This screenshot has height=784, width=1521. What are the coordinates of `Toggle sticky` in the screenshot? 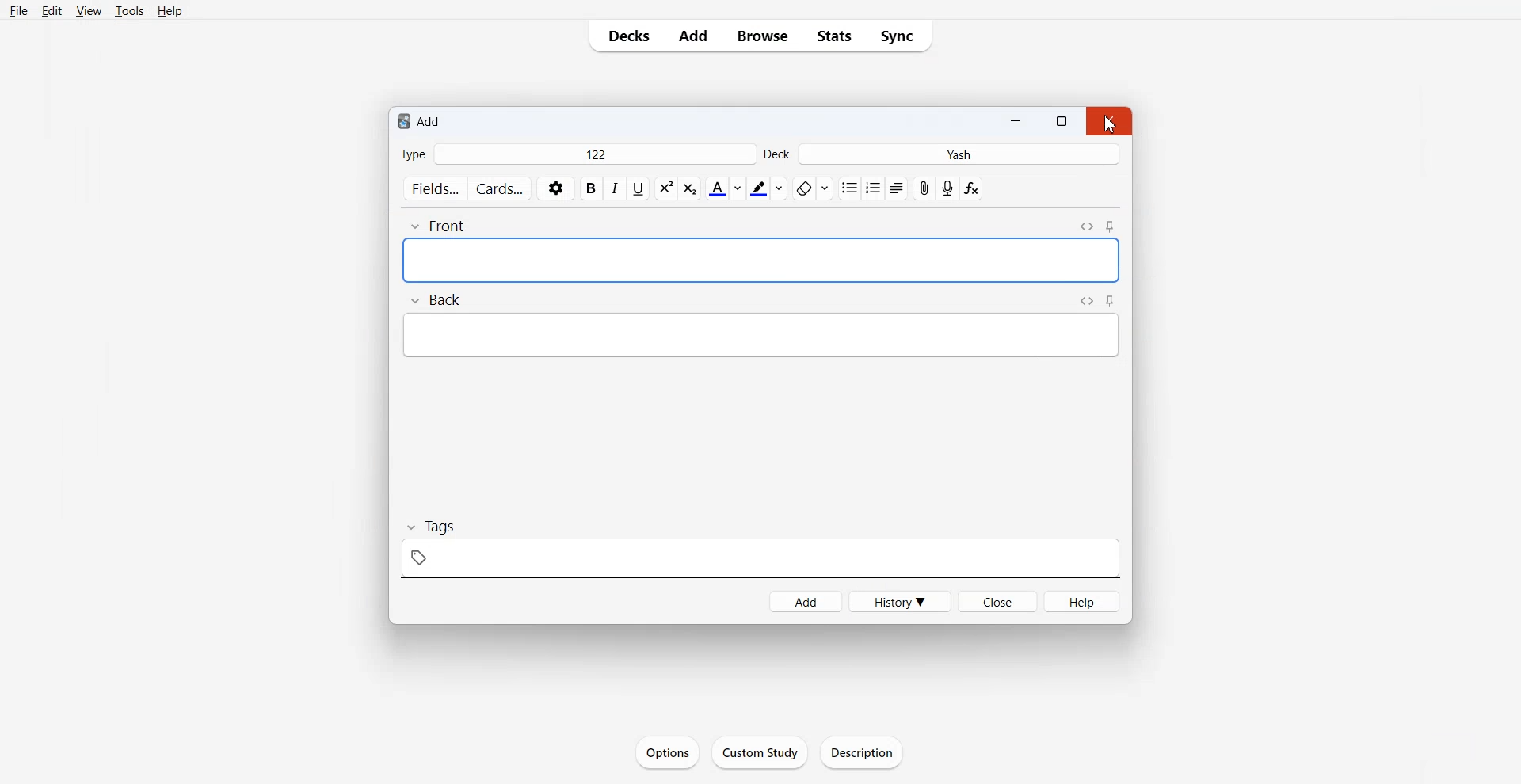 It's located at (1111, 228).